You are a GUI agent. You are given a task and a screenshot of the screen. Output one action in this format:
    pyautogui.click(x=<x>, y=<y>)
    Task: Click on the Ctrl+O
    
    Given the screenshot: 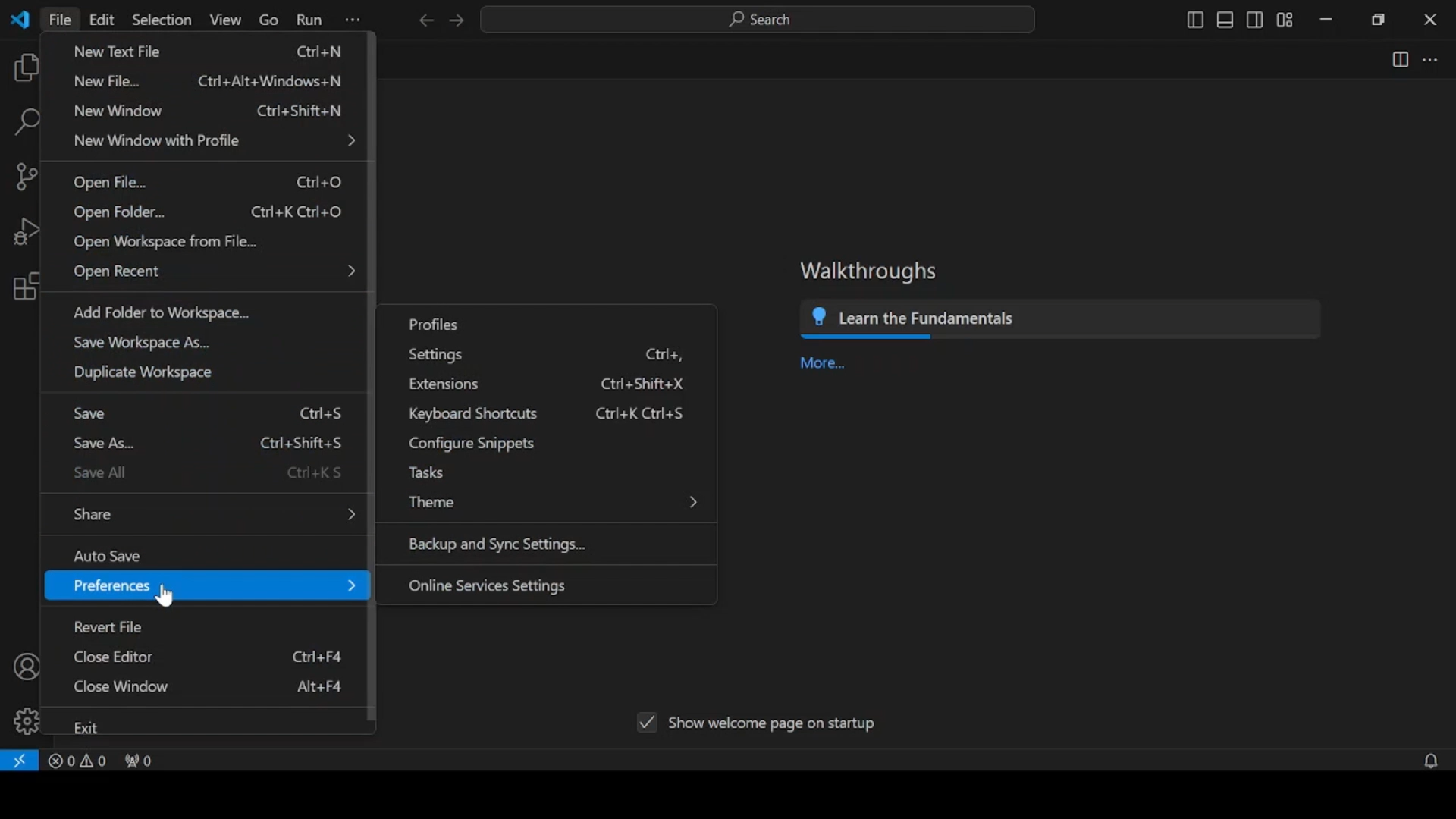 What is the action you would take?
    pyautogui.click(x=321, y=181)
    